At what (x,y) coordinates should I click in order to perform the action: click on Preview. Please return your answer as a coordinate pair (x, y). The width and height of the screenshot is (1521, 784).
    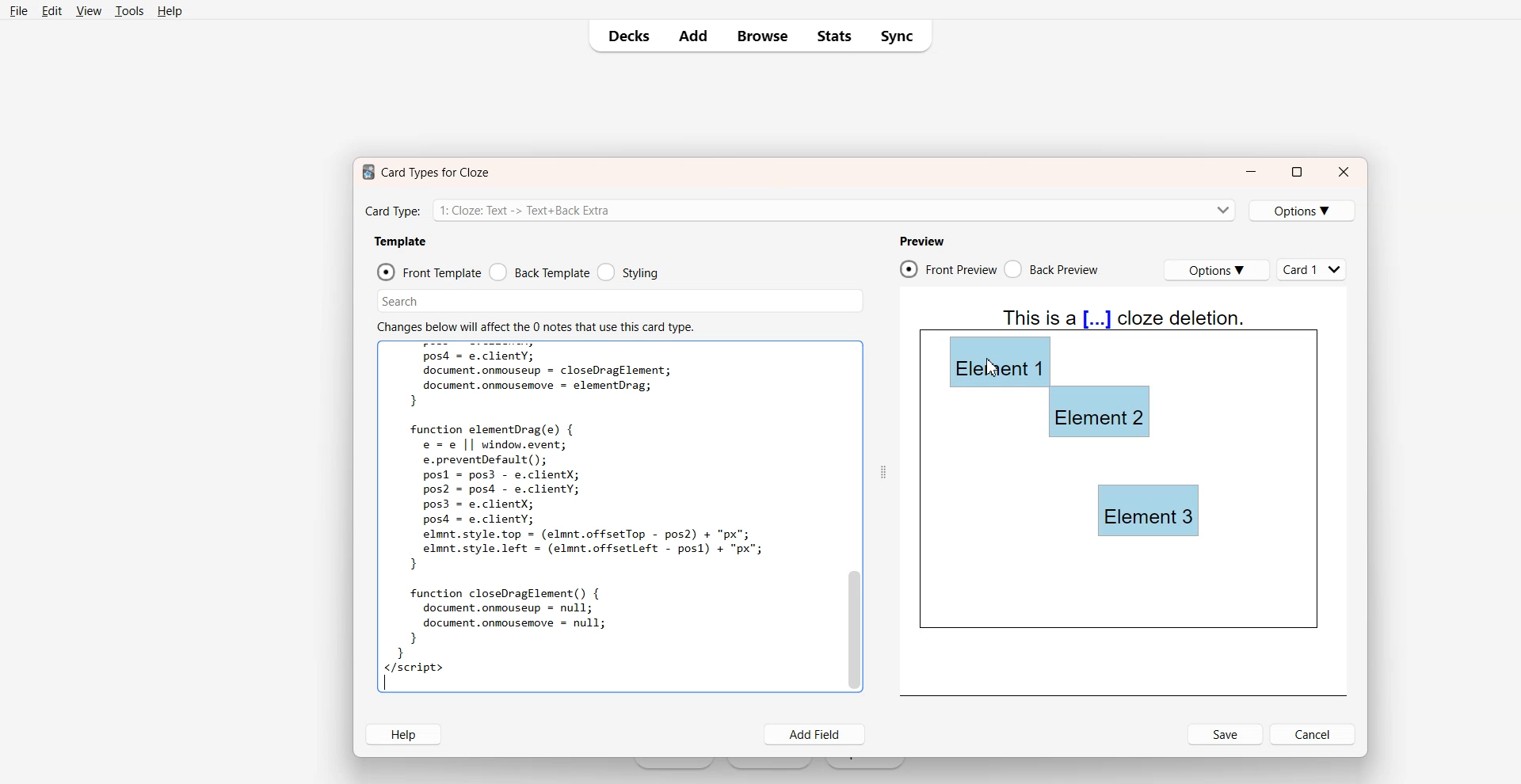
    Looking at the image, I should click on (921, 241).